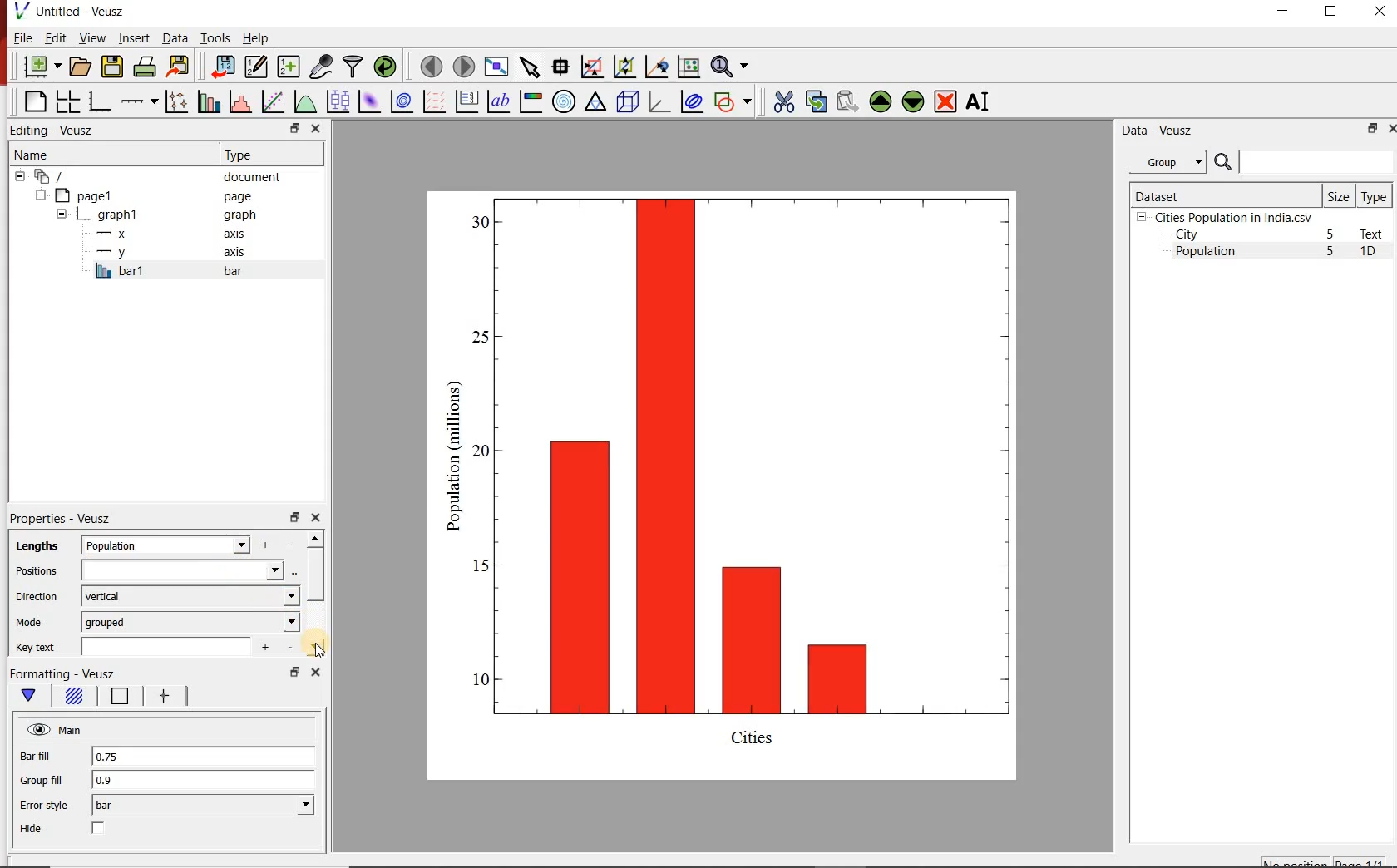  Describe the element at coordinates (689, 66) in the screenshot. I see `click to reset graph axes` at that location.